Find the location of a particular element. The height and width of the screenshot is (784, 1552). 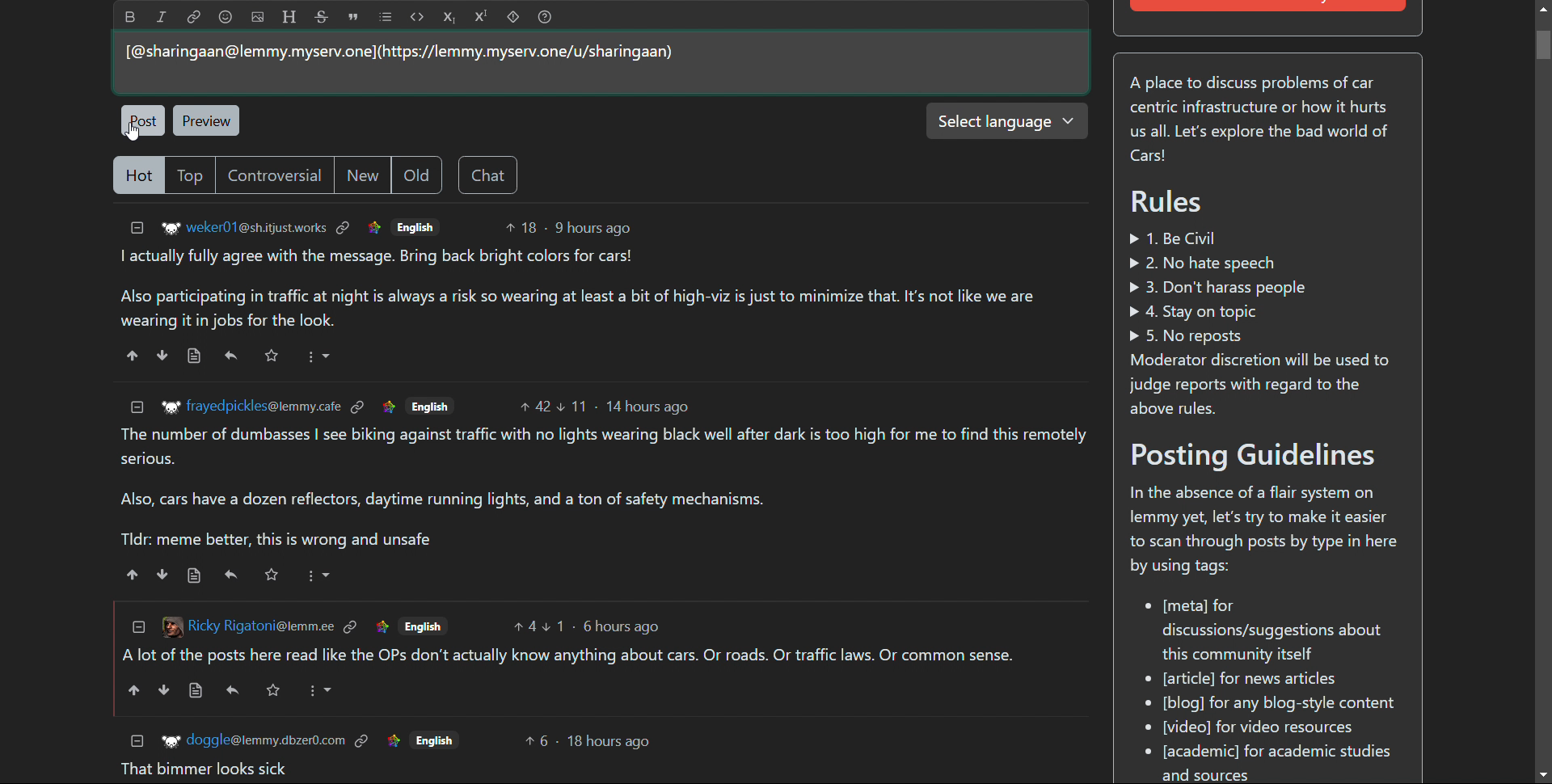

6 hours ago is located at coordinates (623, 626).